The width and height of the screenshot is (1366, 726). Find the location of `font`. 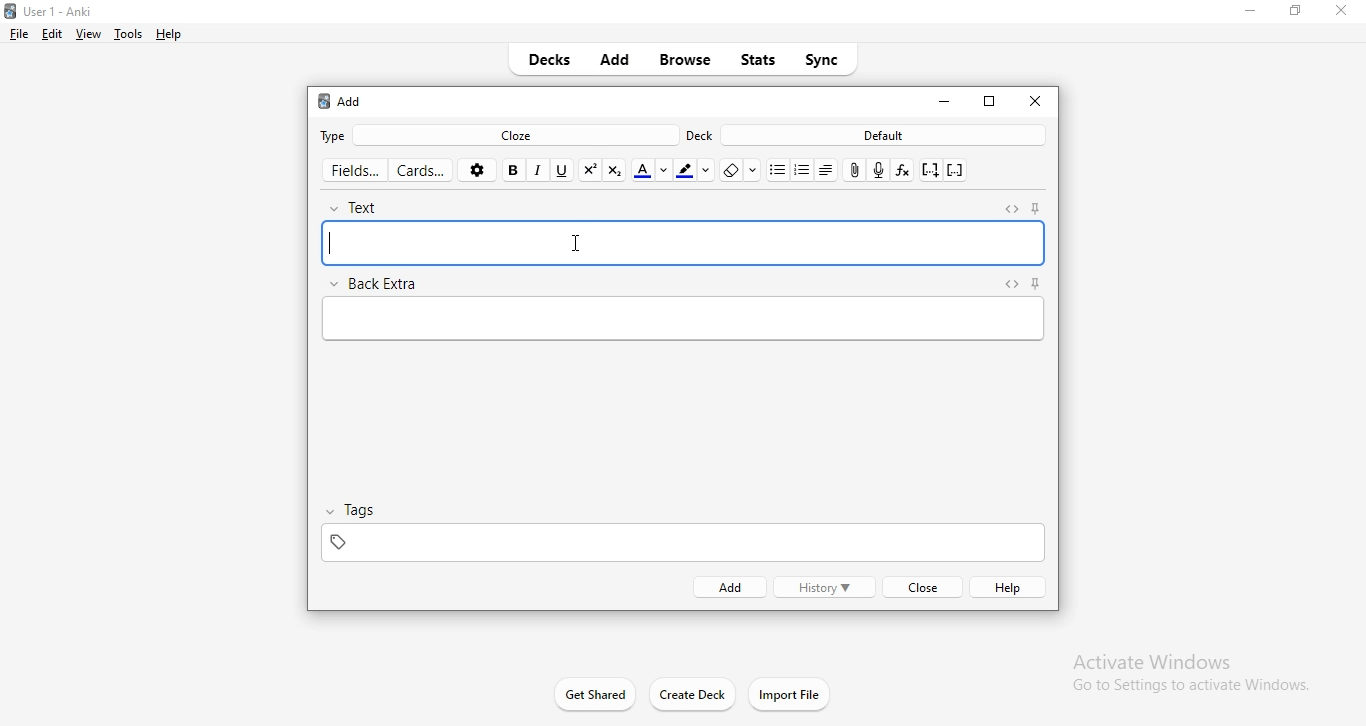

font is located at coordinates (651, 170).